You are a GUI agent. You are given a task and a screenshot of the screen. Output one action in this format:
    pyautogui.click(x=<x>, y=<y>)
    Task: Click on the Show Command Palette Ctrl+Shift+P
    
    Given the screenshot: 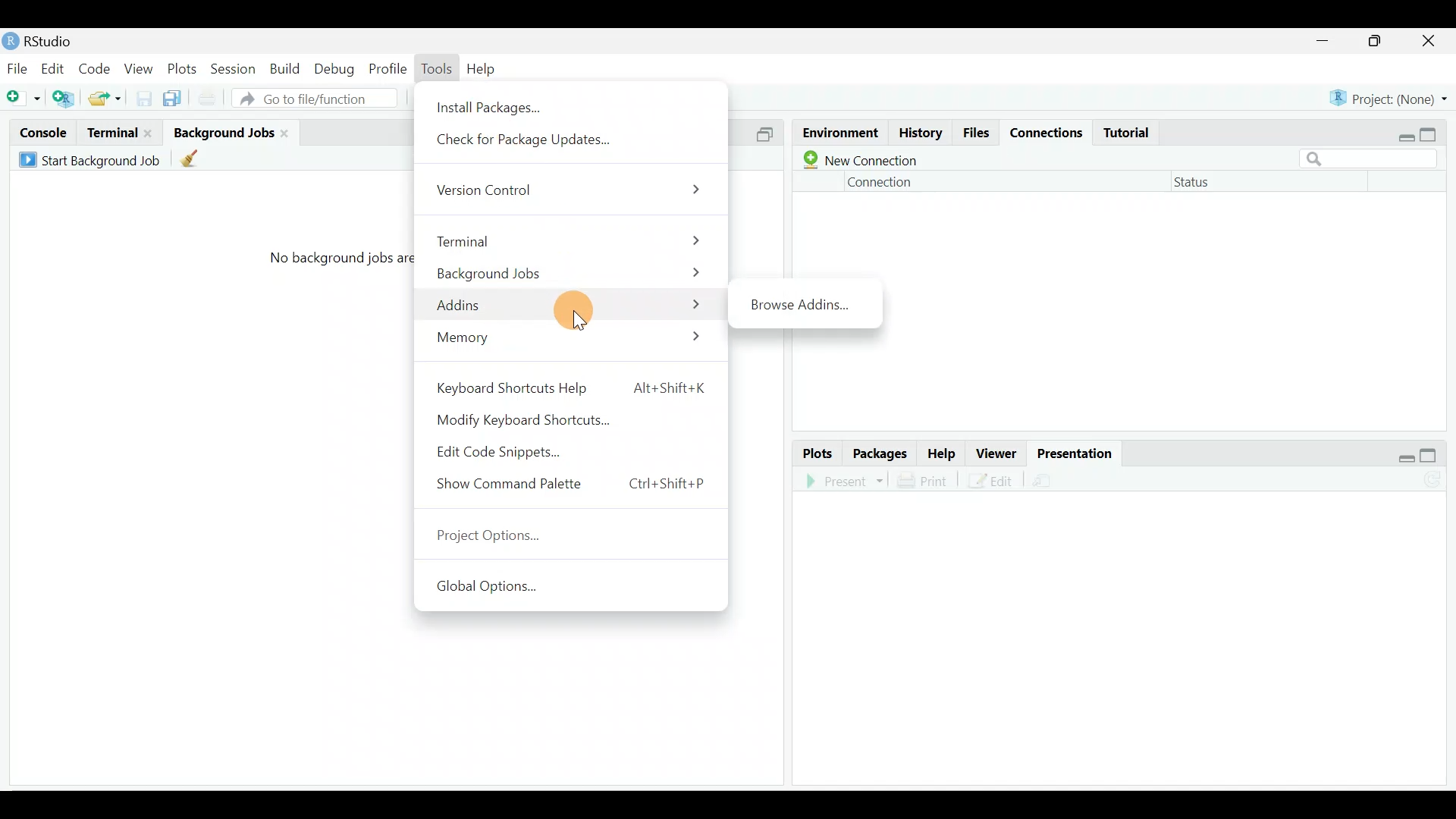 What is the action you would take?
    pyautogui.click(x=573, y=488)
    